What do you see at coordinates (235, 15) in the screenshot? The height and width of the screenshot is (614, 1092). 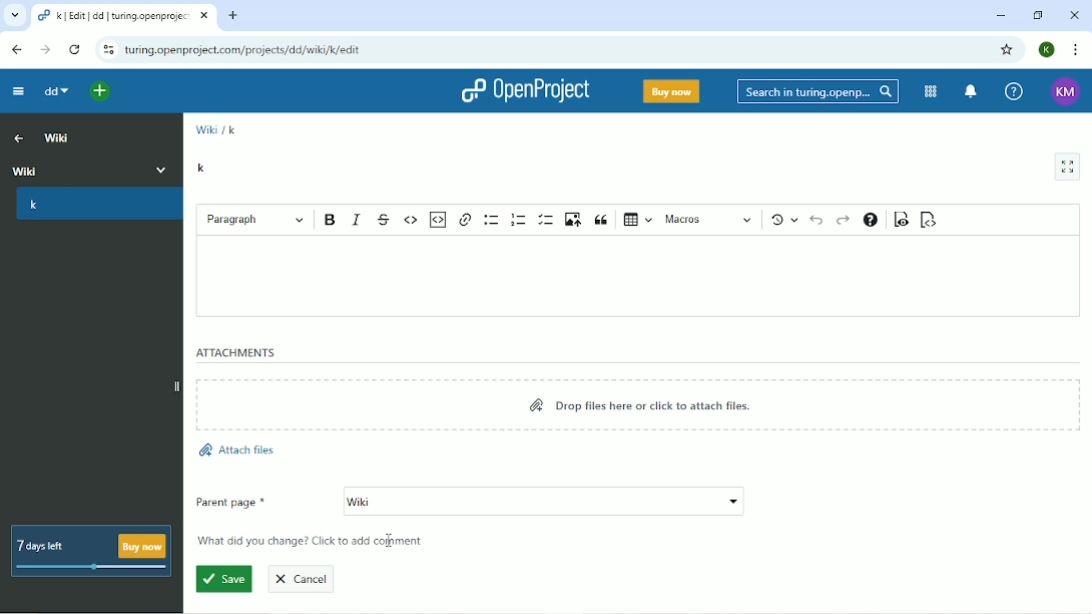 I see `New tab` at bounding box center [235, 15].